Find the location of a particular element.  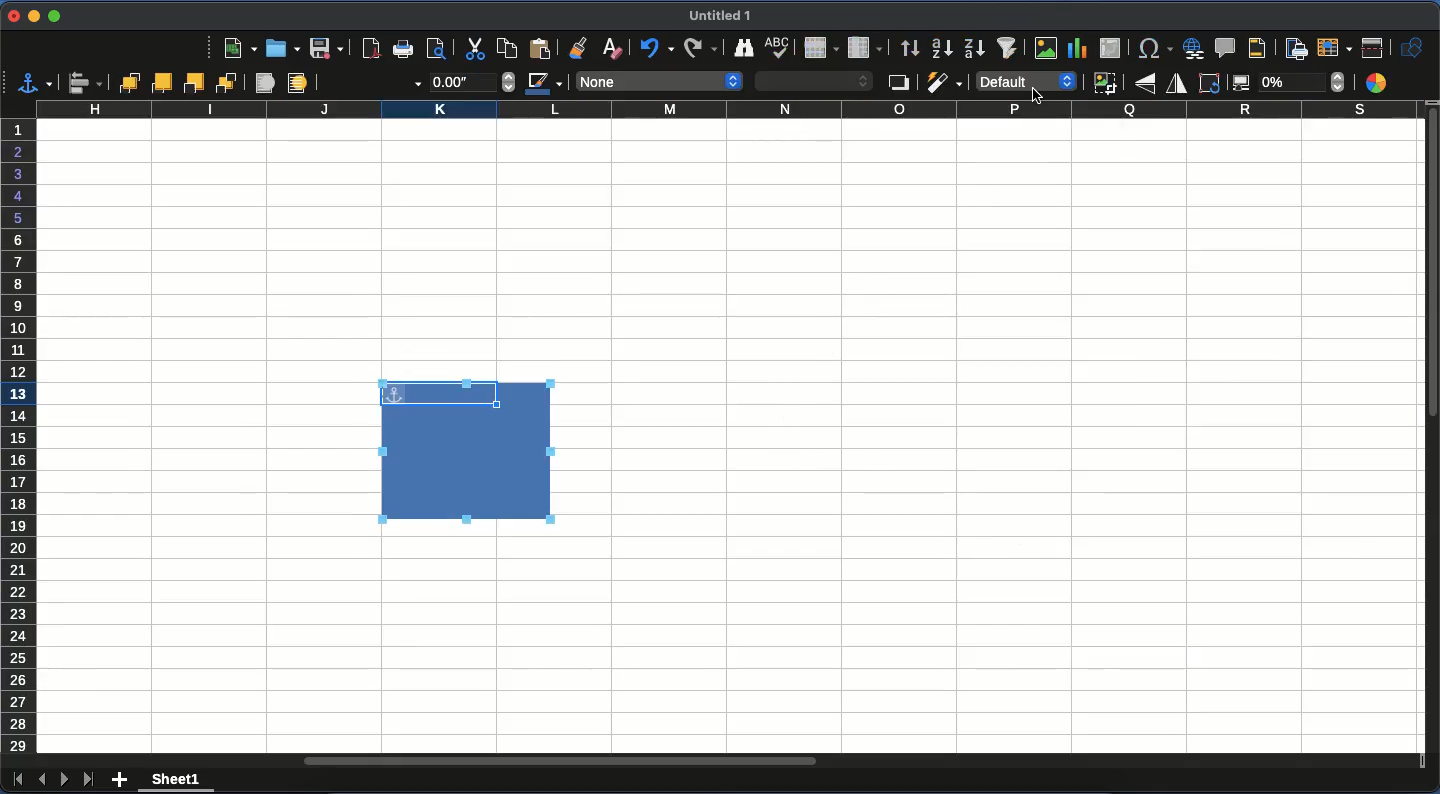

filter is located at coordinates (944, 82).